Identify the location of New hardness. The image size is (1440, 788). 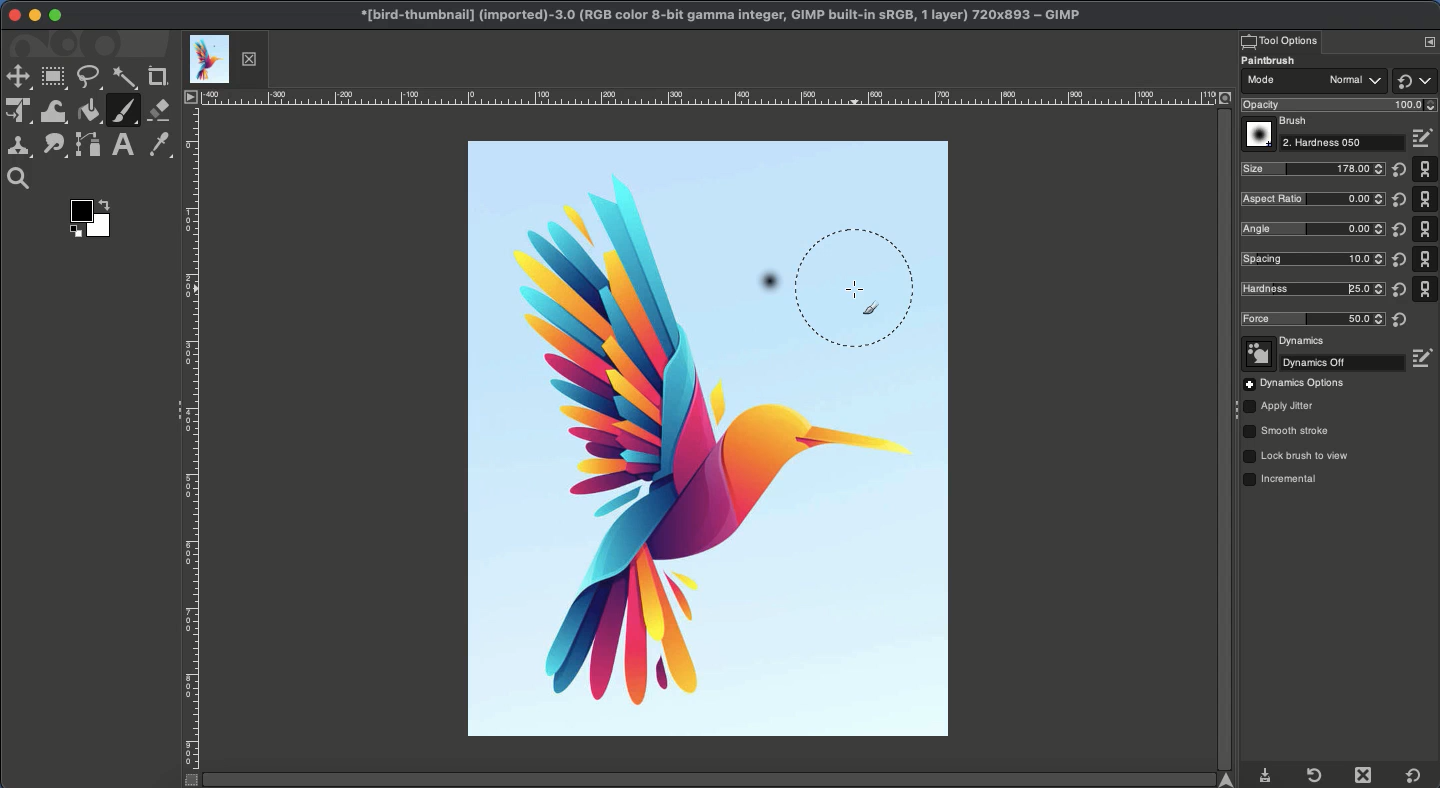
(1312, 290).